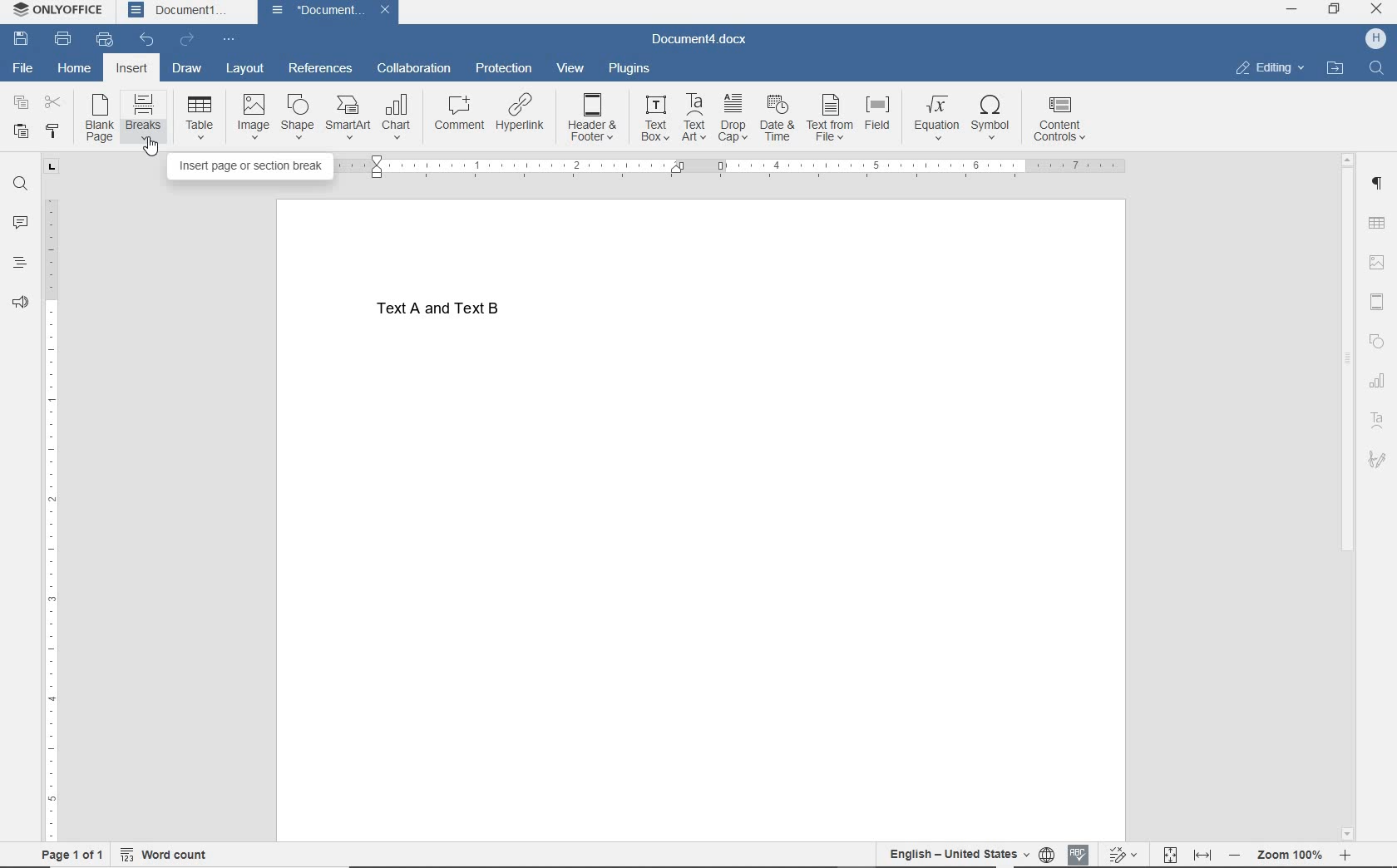  I want to click on DROP CAP, so click(734, 120).